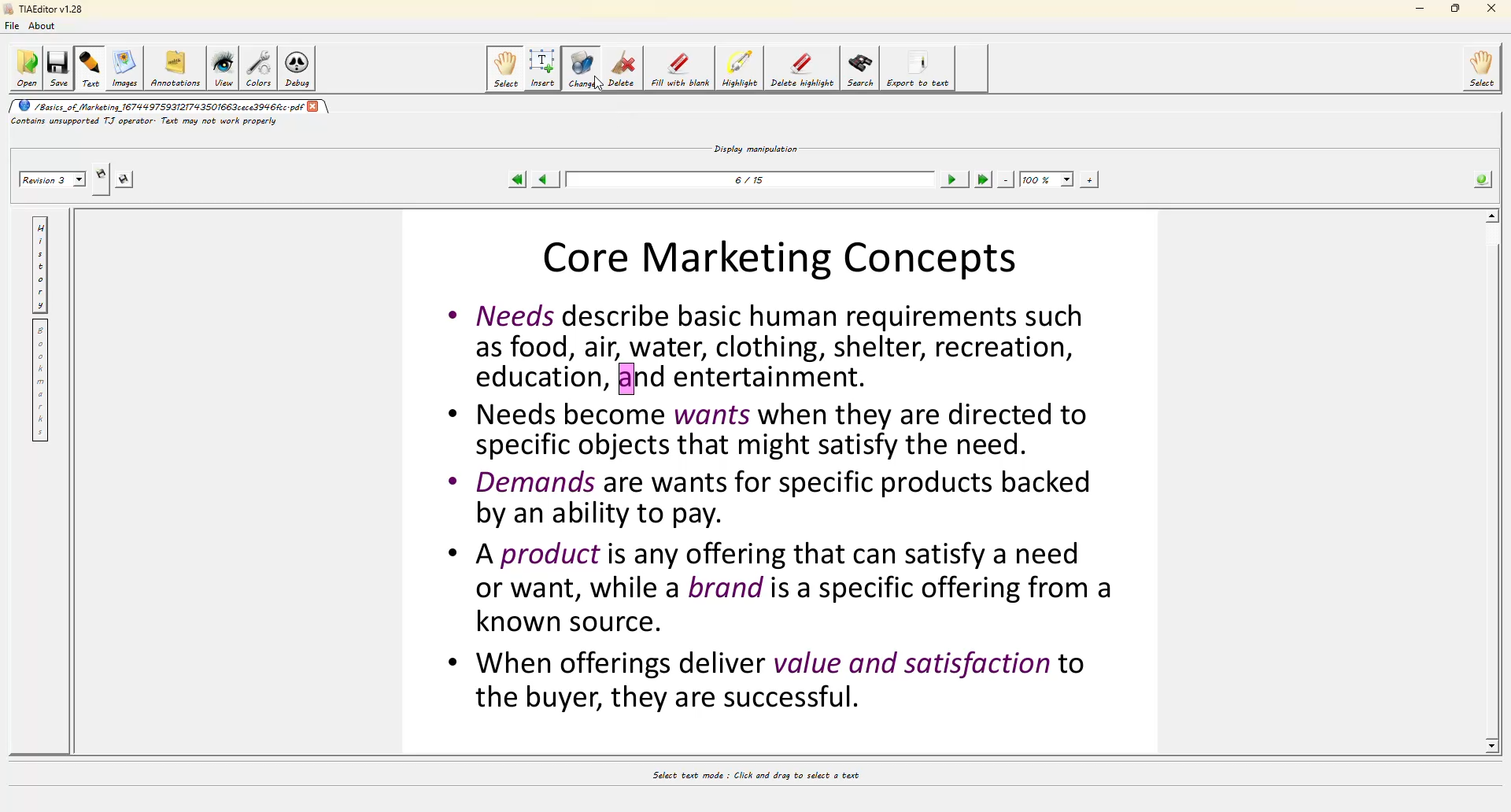 This screenshot has height=812, width=1511. I want to click on create new revision, so click(102, 172).